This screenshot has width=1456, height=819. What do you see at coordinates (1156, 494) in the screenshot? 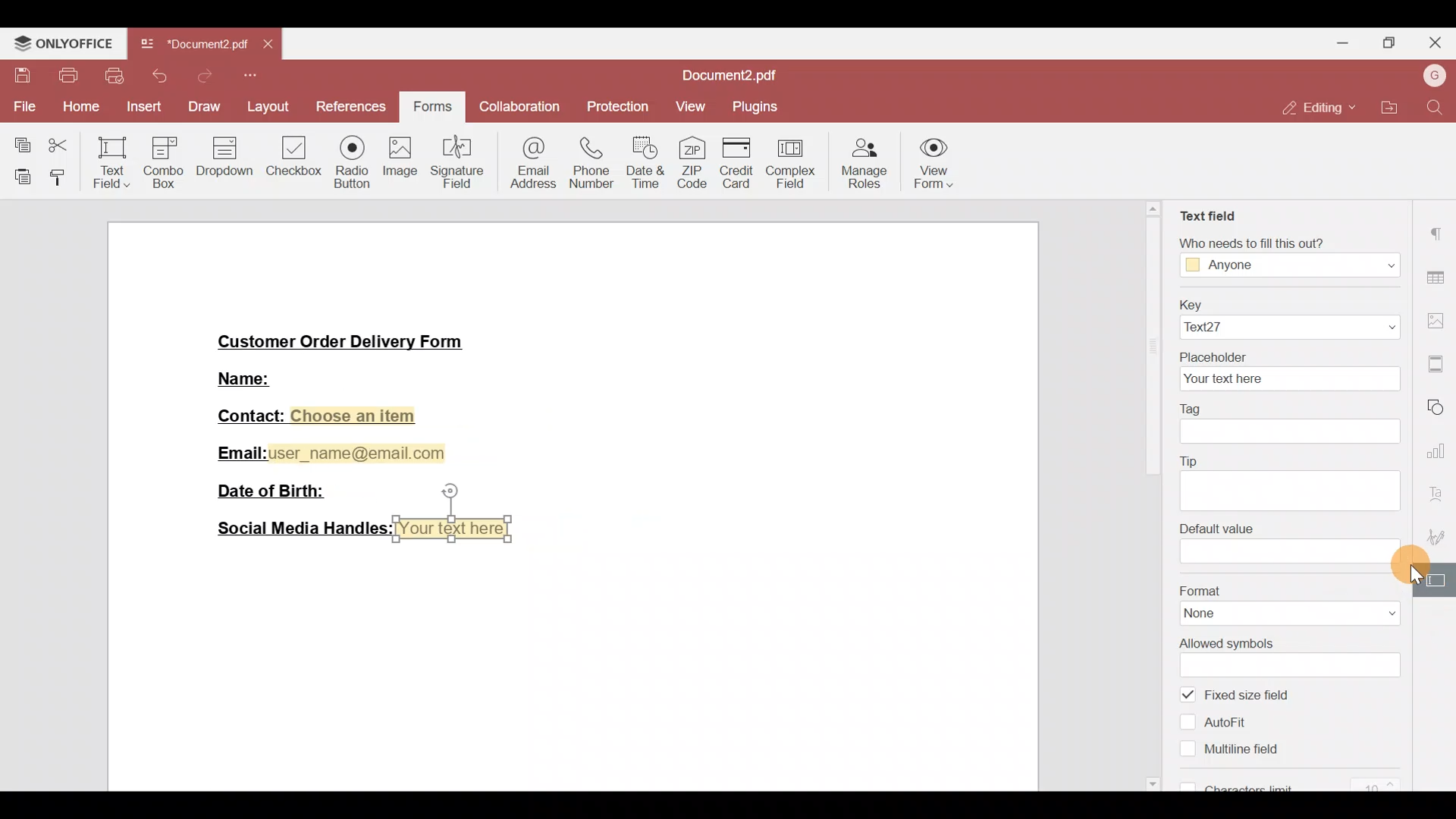
I see `Scroll bar` at bounding box center [1156, 494].